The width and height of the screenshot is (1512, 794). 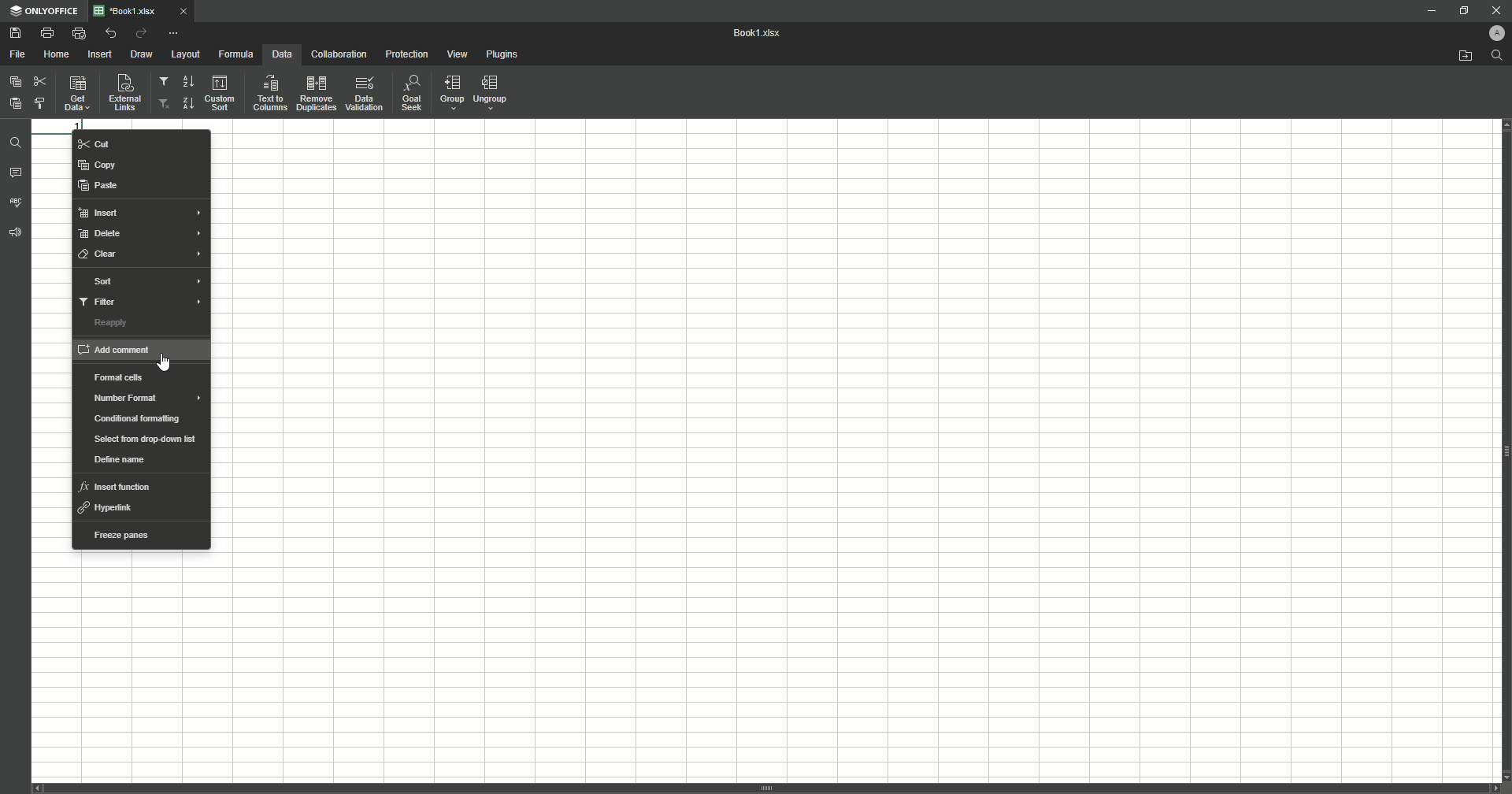 I want to click on ONLYOFFICE, so click(x=45, y=11).